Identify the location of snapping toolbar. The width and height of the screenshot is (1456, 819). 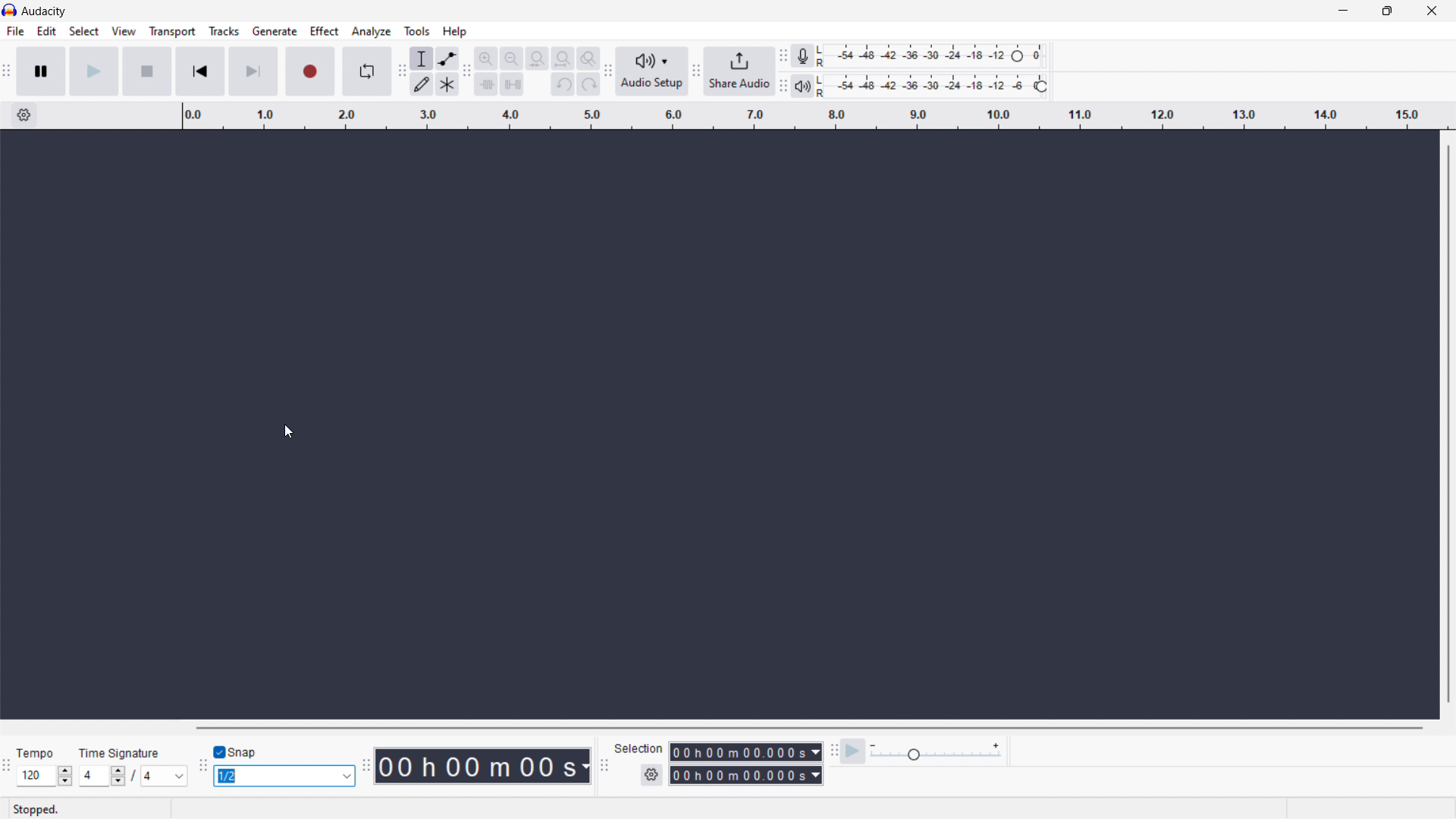
(202, 764).